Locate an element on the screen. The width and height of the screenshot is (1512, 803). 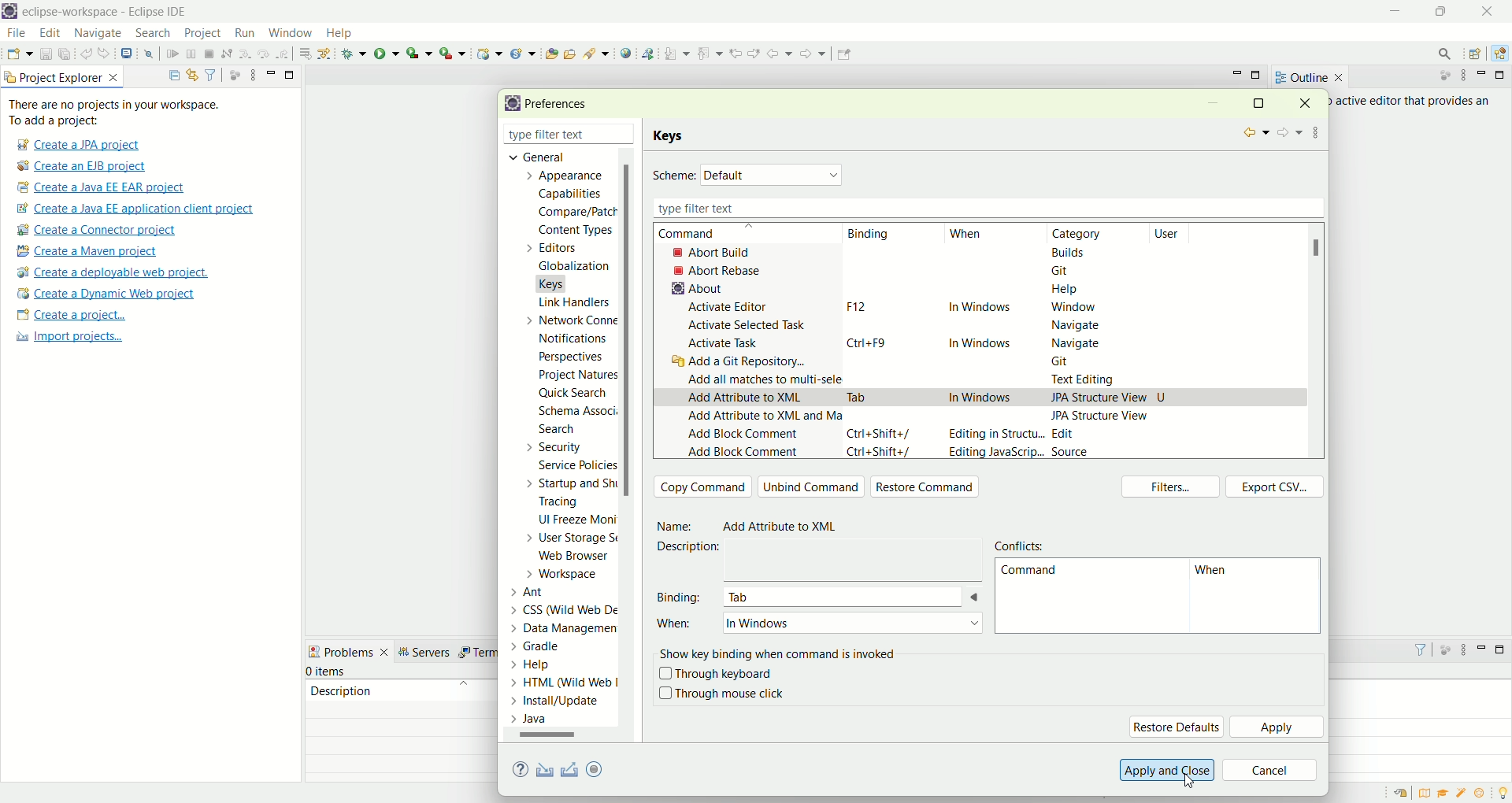
when is located at coordinates (677, 629).